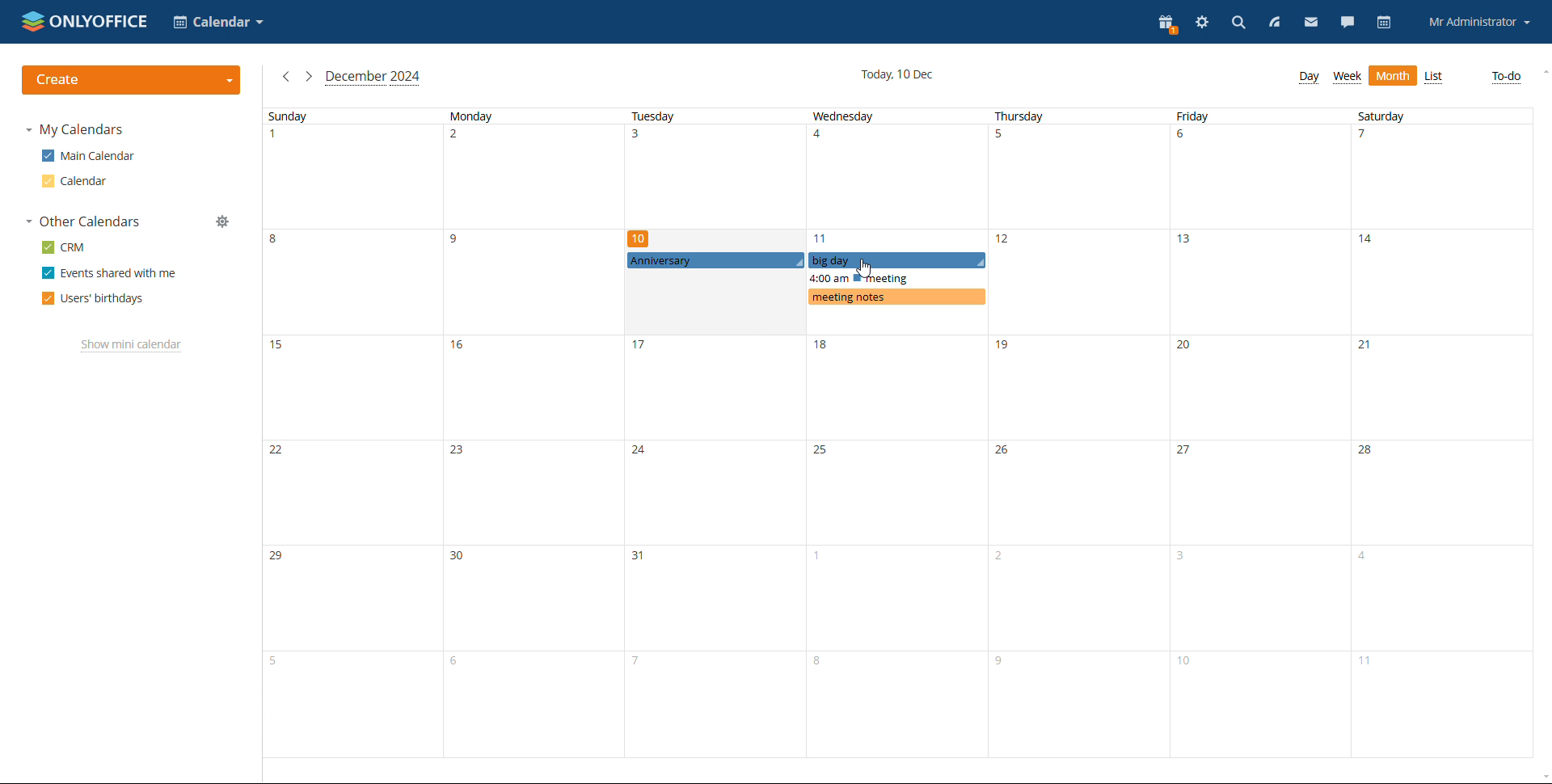  Describe the element at coordinates (1203, 22) in the screenshot. I see `settings` at that location.